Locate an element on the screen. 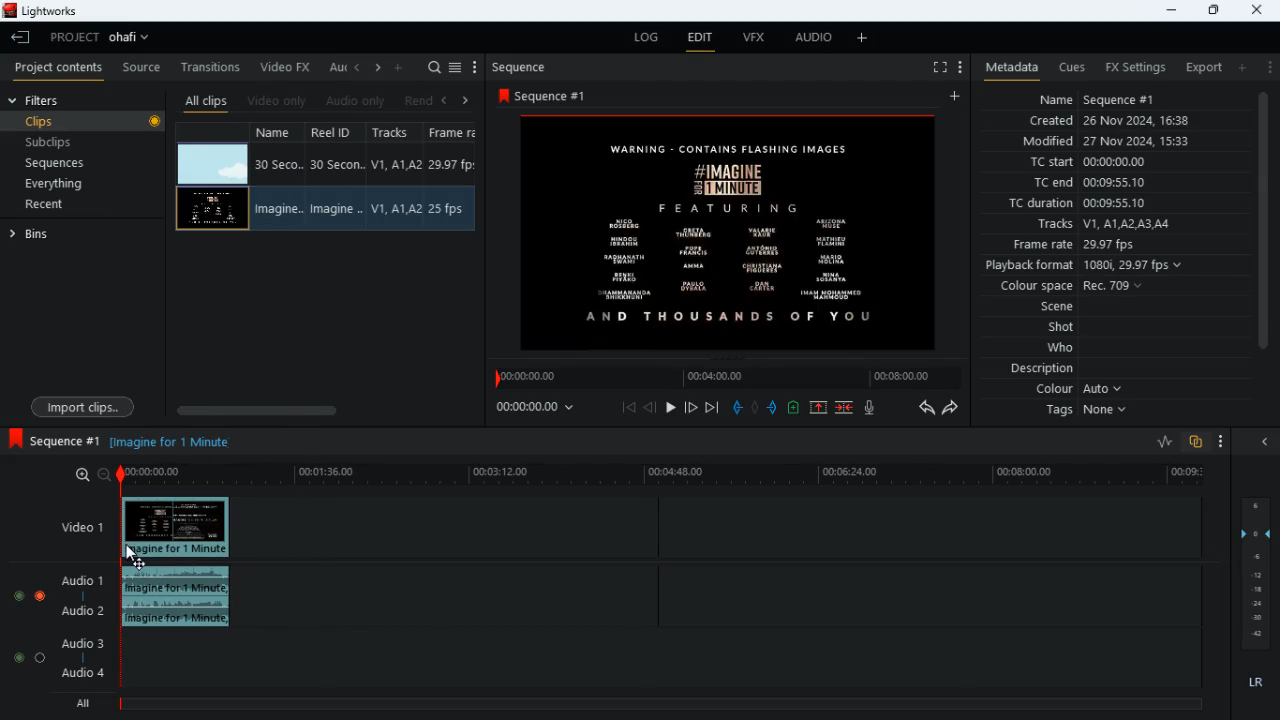  zoom is located at coordinates (92, 474).